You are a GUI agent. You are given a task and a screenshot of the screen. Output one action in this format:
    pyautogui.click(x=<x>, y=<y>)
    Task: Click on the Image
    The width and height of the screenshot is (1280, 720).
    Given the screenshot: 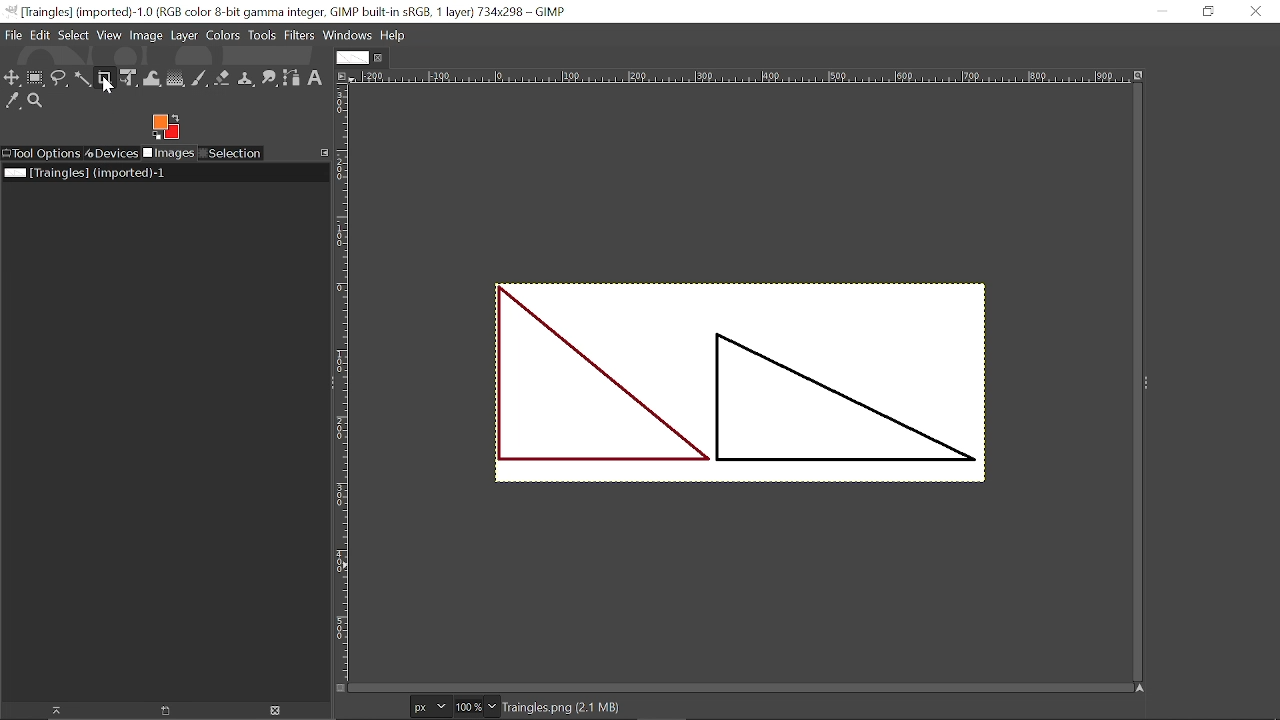 What is the action you would take?
    pyautogui.click(x=145, y=36)
    